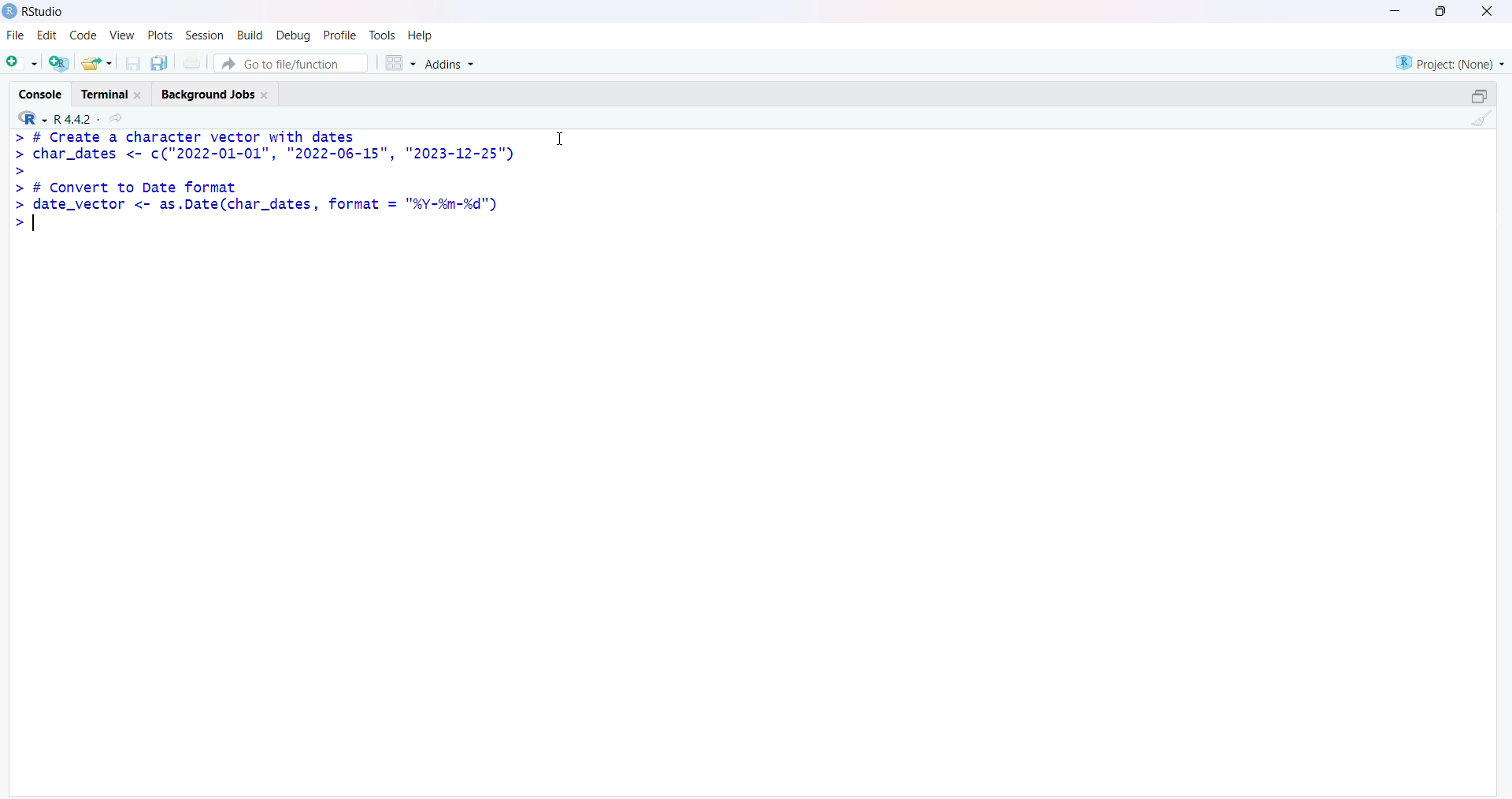  What do you see at coordinates (46, 39) in the screenshot?
I see `Edit` at bounding box center [46, 39].